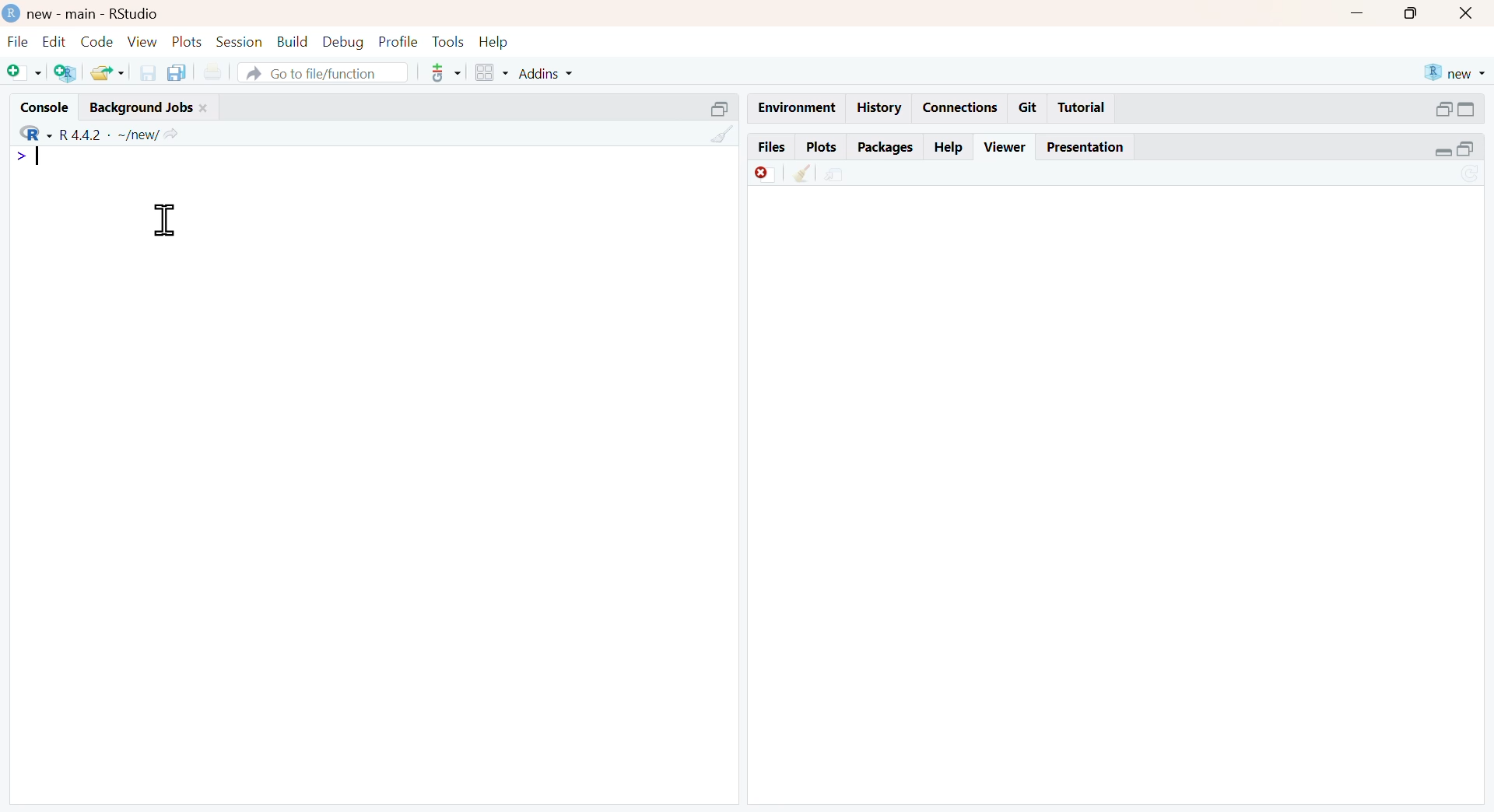 This screenshot has width=1494, height=812. What do you see at coordinates (164, 220) in the screenshot?
I see `text cursor` at bounding box center [164, 220].